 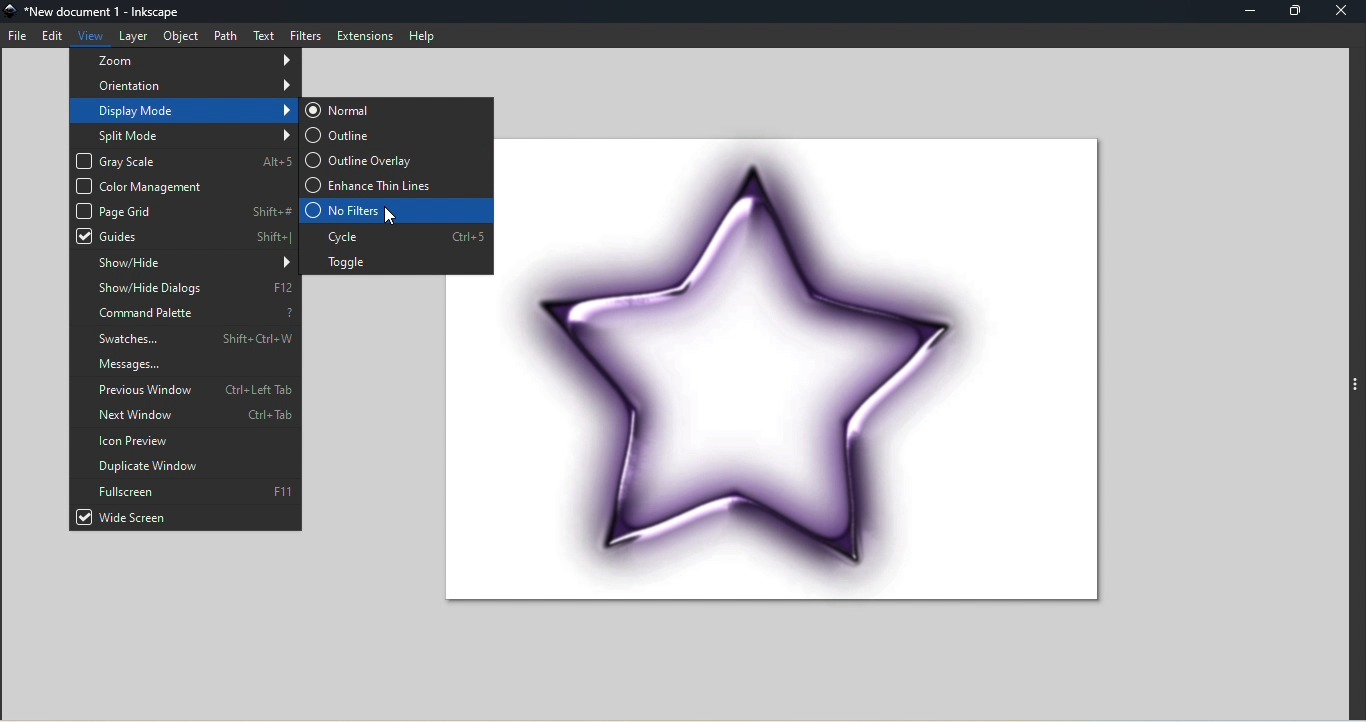 I want to click on Messages, so click(x=185, y=362).